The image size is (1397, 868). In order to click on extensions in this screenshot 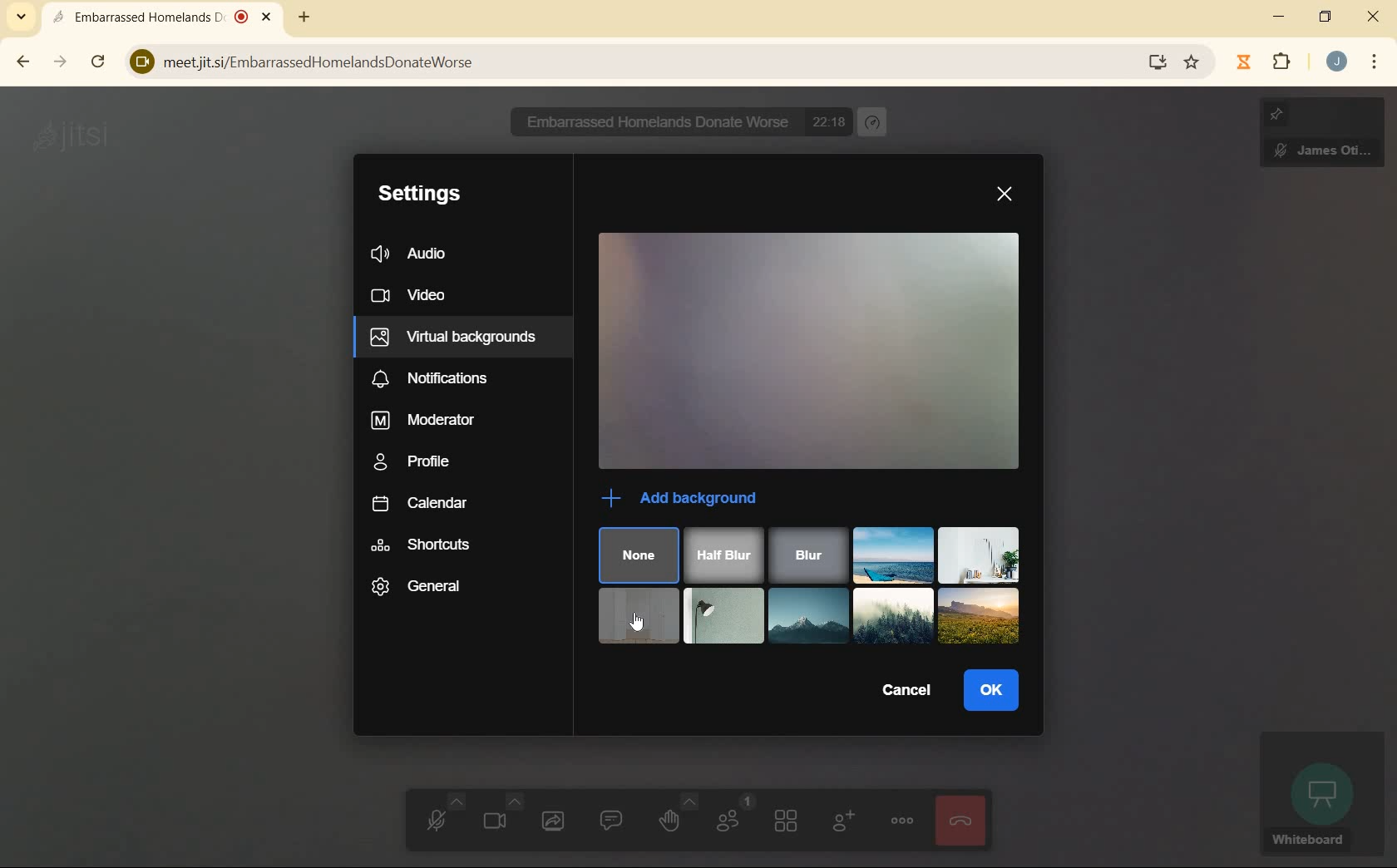, I will do `click(1265, 62)`.